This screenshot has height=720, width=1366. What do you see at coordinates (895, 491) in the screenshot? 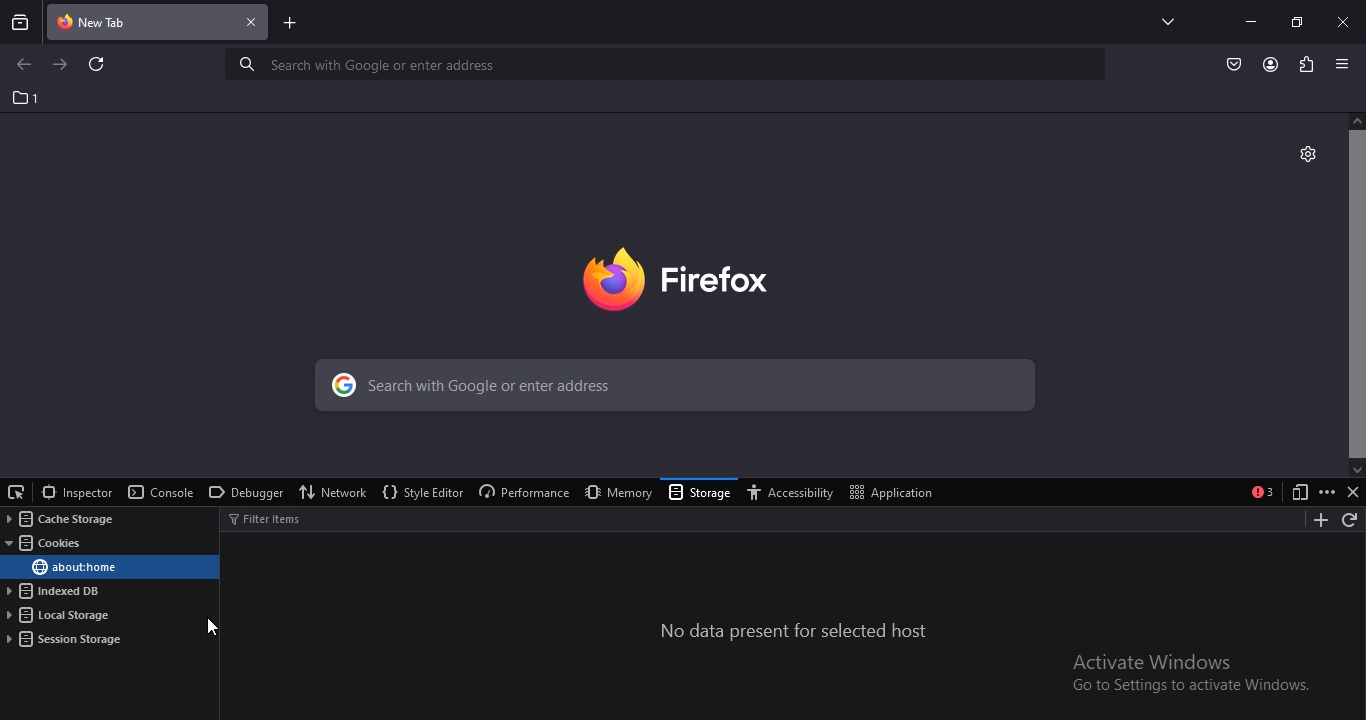
I see `application` at bounding box center [895, 491].